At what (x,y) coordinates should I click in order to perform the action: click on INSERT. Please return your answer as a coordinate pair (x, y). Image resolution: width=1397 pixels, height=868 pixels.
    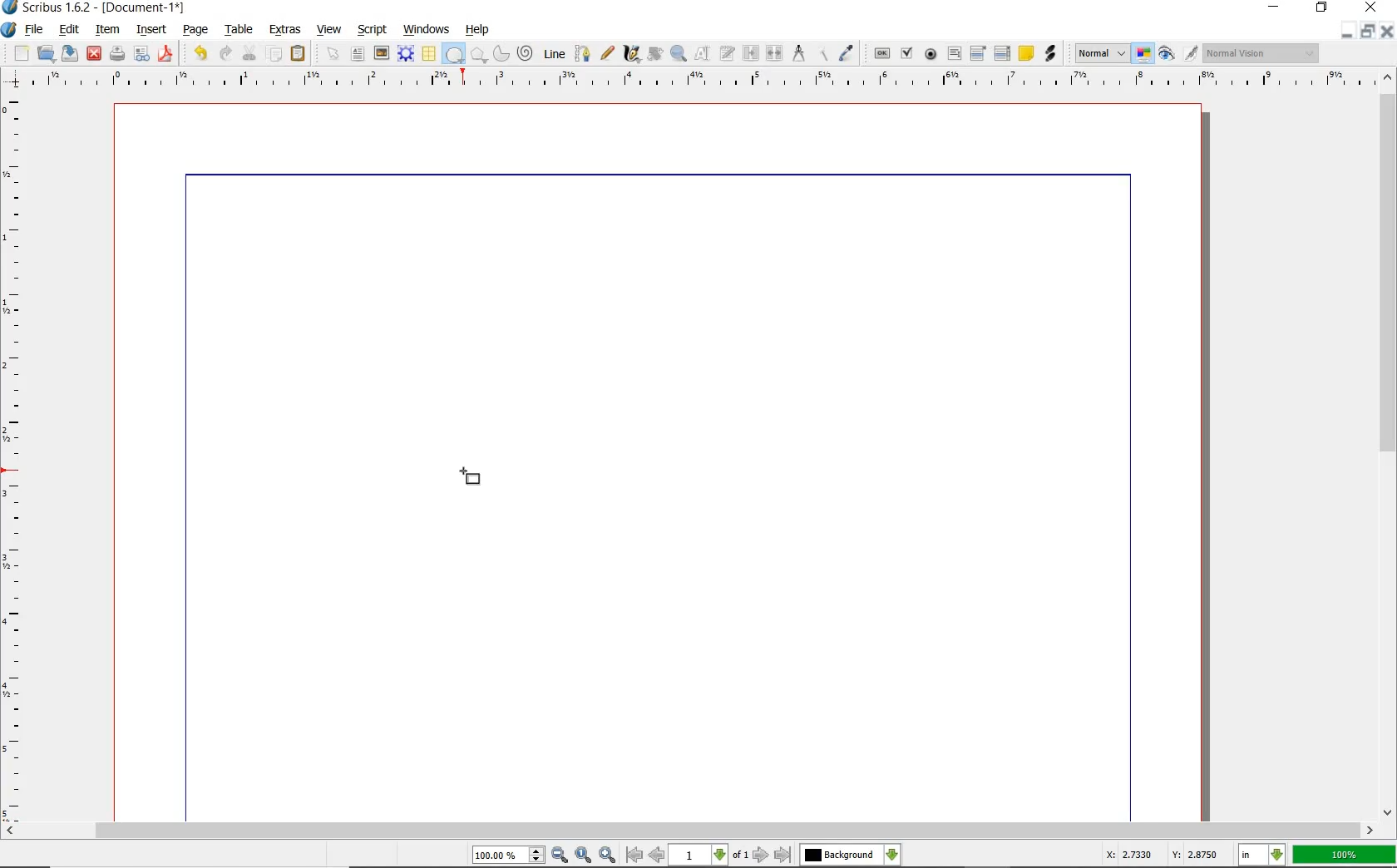
    Looking at the image, I should click on (151, 30).